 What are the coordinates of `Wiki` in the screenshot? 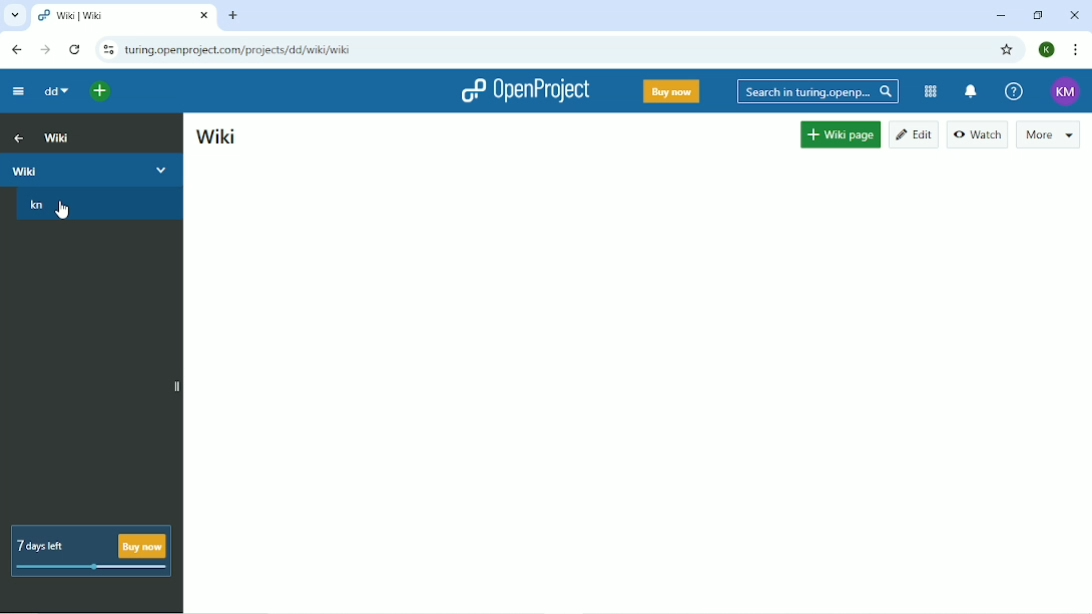 It's located at (56, 138).